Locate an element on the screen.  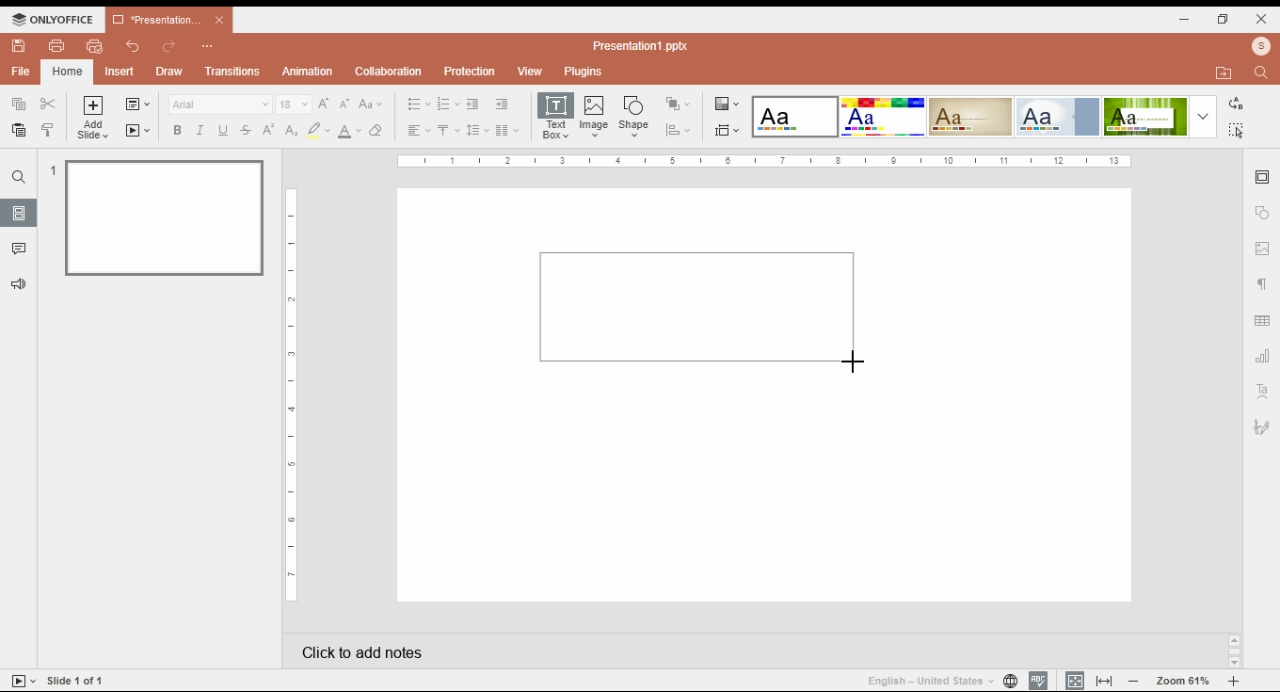
align shapes is located at coordinates (678, 132).